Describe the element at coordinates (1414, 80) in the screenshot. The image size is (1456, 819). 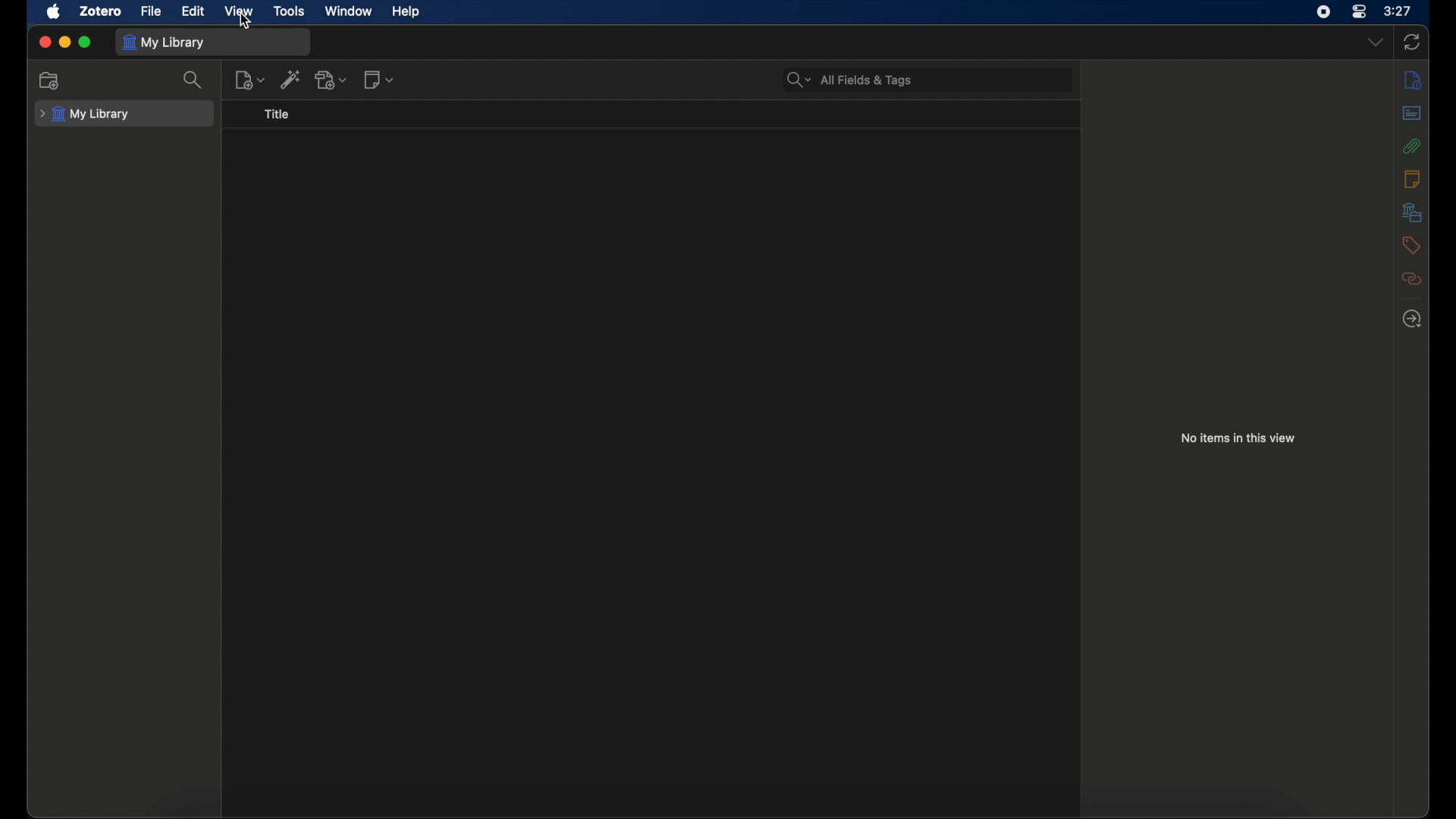
I see `info` at that location.